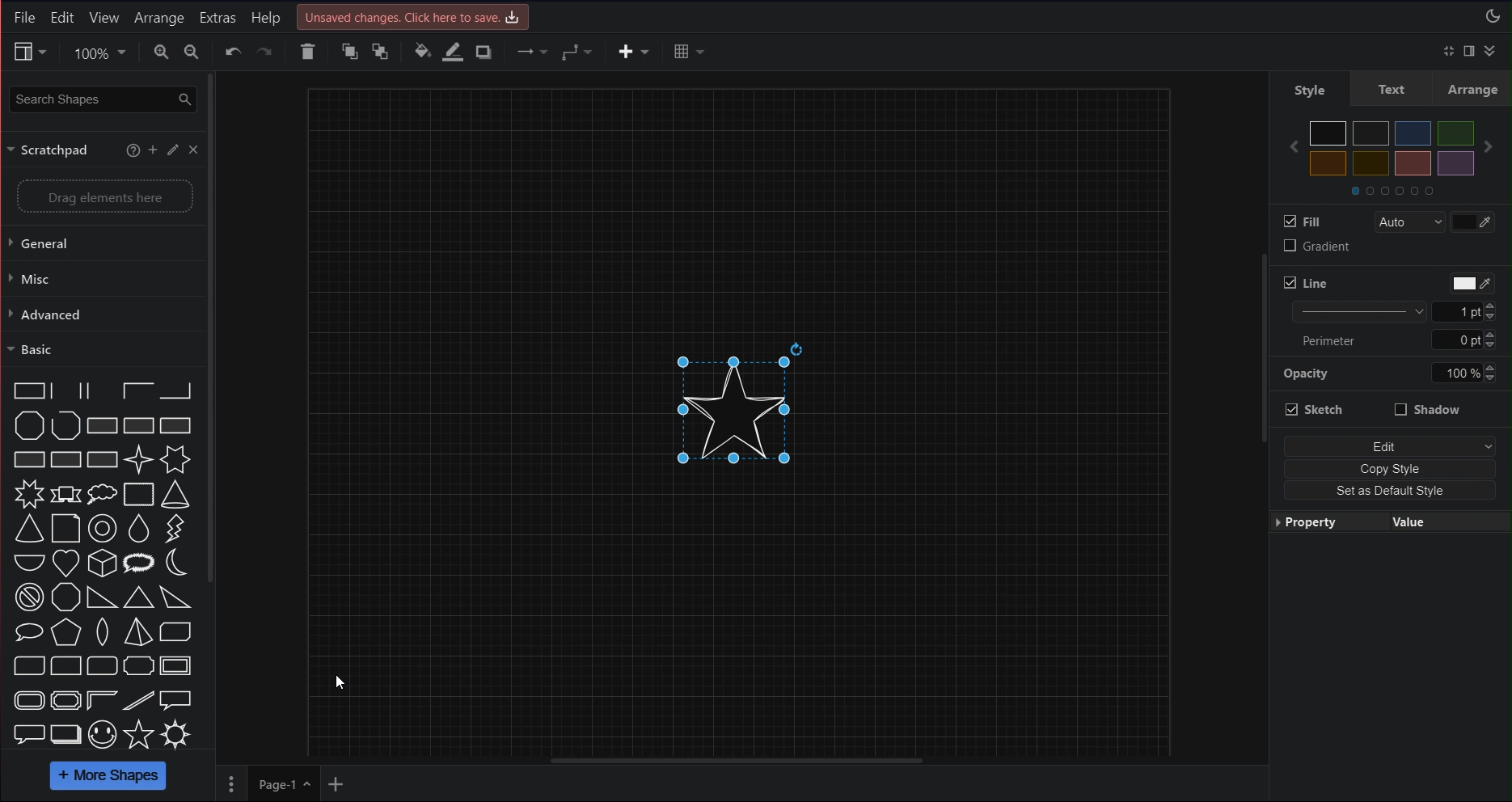 This screenshot has height=802, width=1512. What do you see at coordinates (1490, 50) in the screenshot?
I see `Collapse` at bounding box center [1490, 50].